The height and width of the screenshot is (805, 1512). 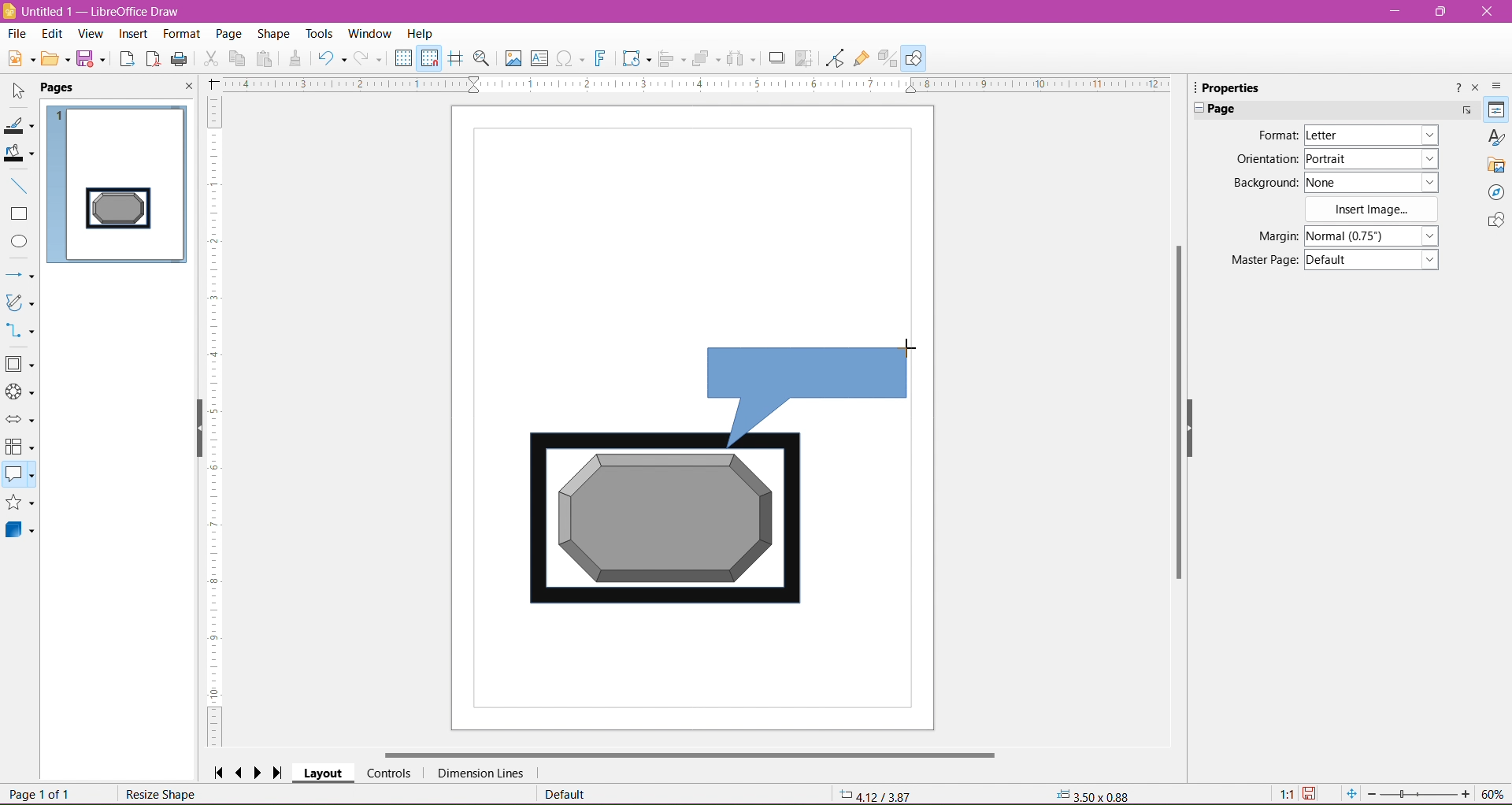 I want to click on Select, so click(x=19, y=91).